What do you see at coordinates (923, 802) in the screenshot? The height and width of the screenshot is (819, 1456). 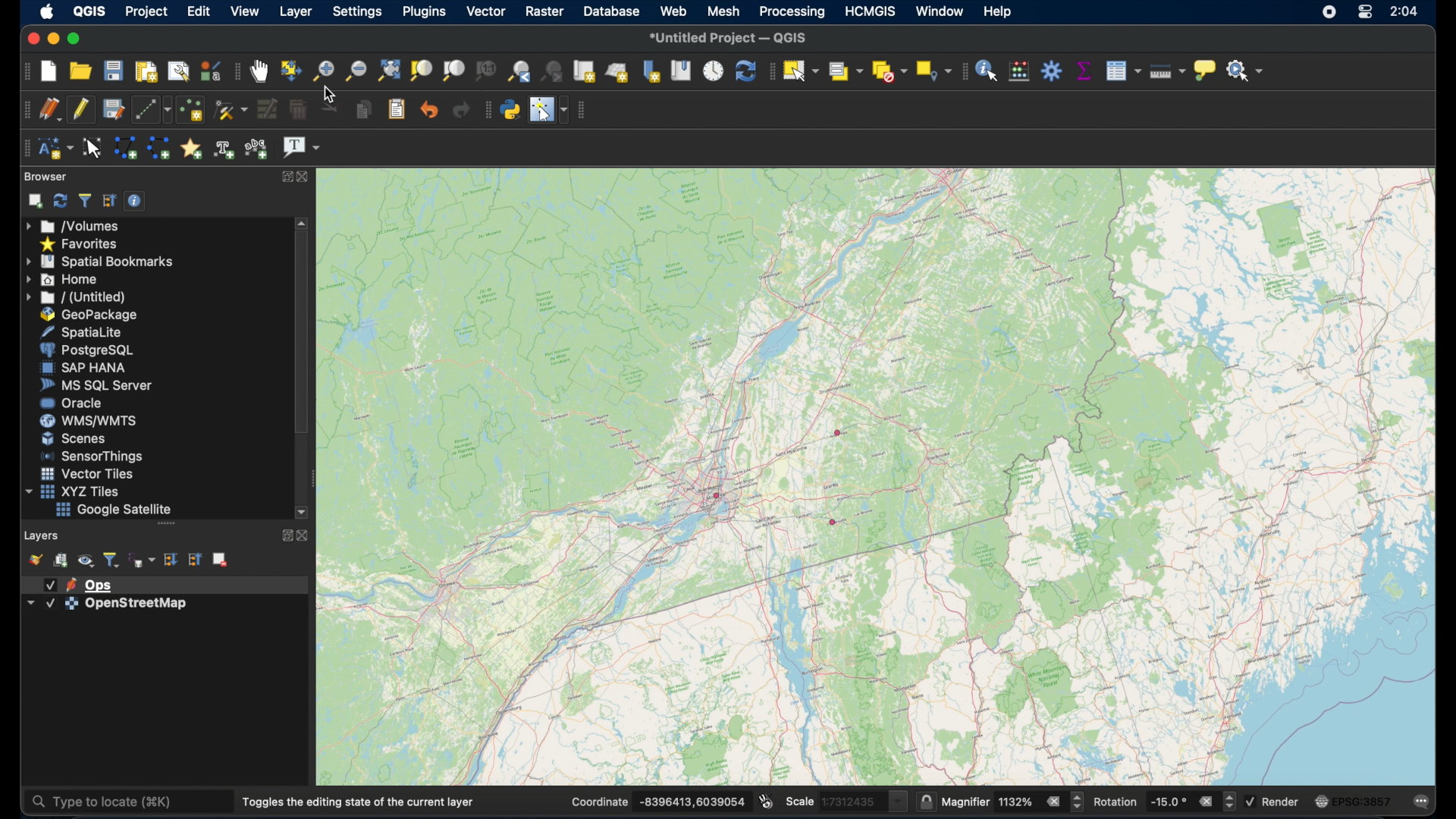 I see `lock scale` at bounding box center [923, 802].